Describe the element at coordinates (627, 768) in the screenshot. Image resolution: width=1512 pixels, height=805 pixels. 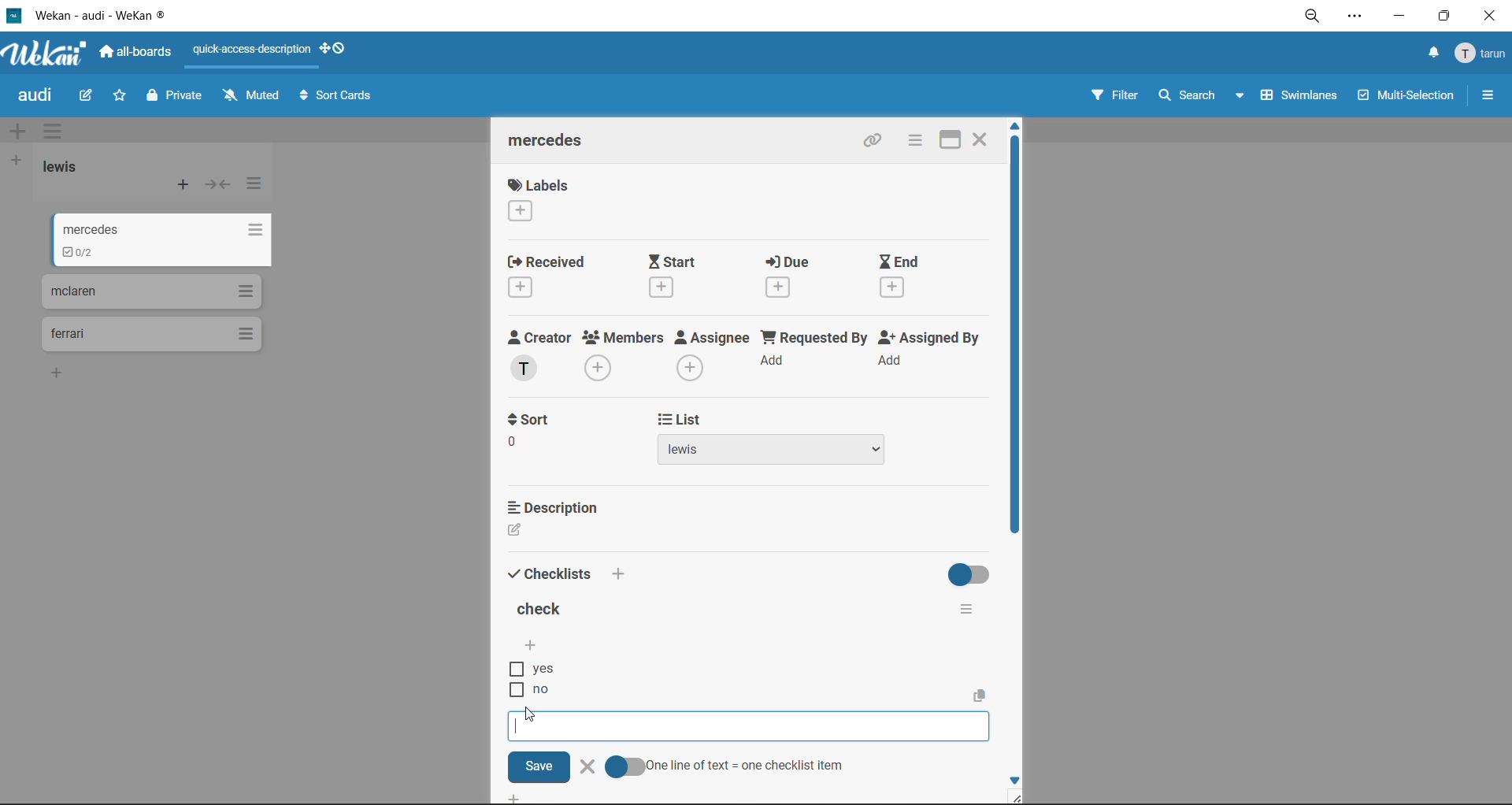
I see `Check` at that location.